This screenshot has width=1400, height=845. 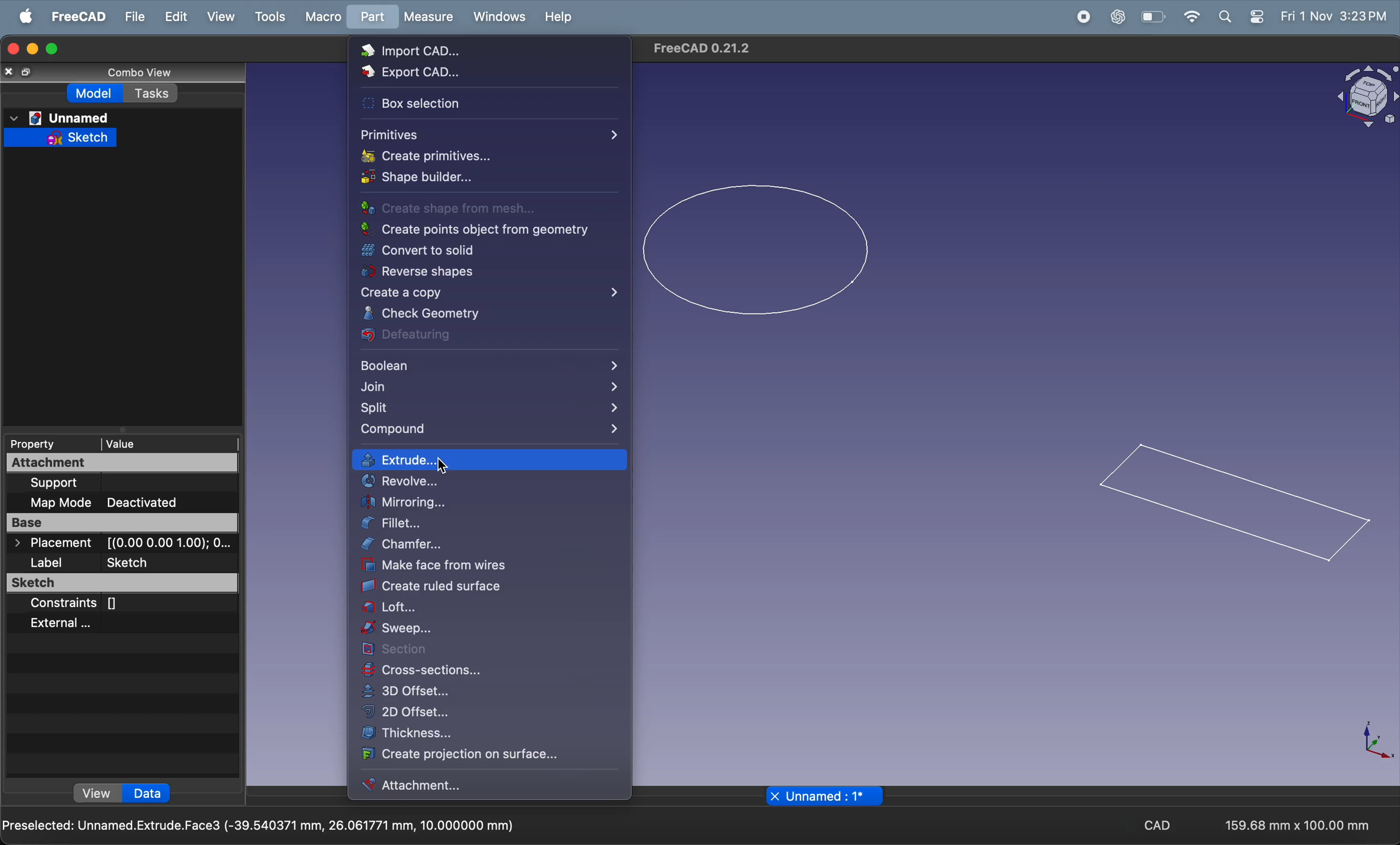 I want to click on Primitives, so click(x=489, y=134).